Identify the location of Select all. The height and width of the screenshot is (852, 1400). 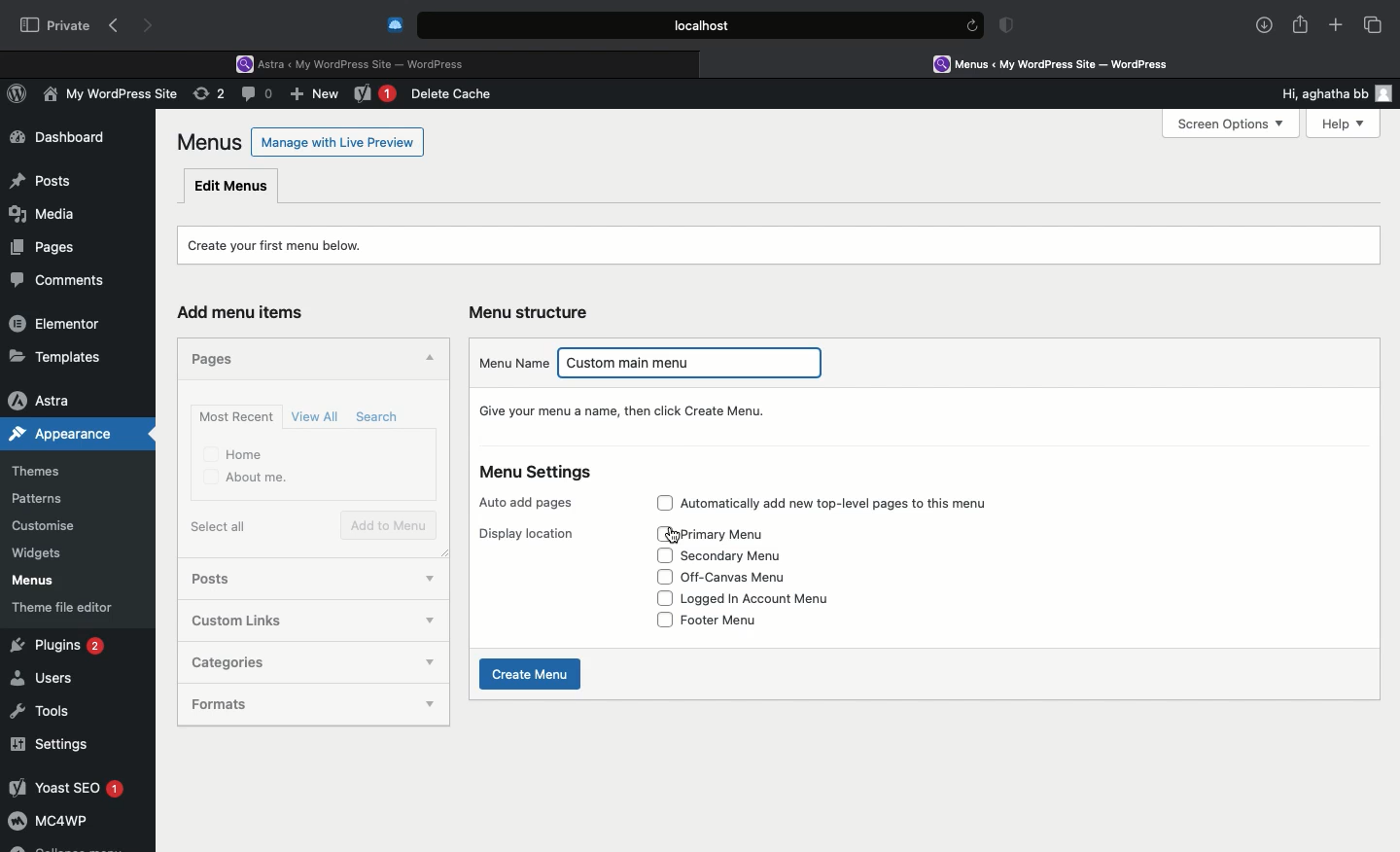
(223, 526).